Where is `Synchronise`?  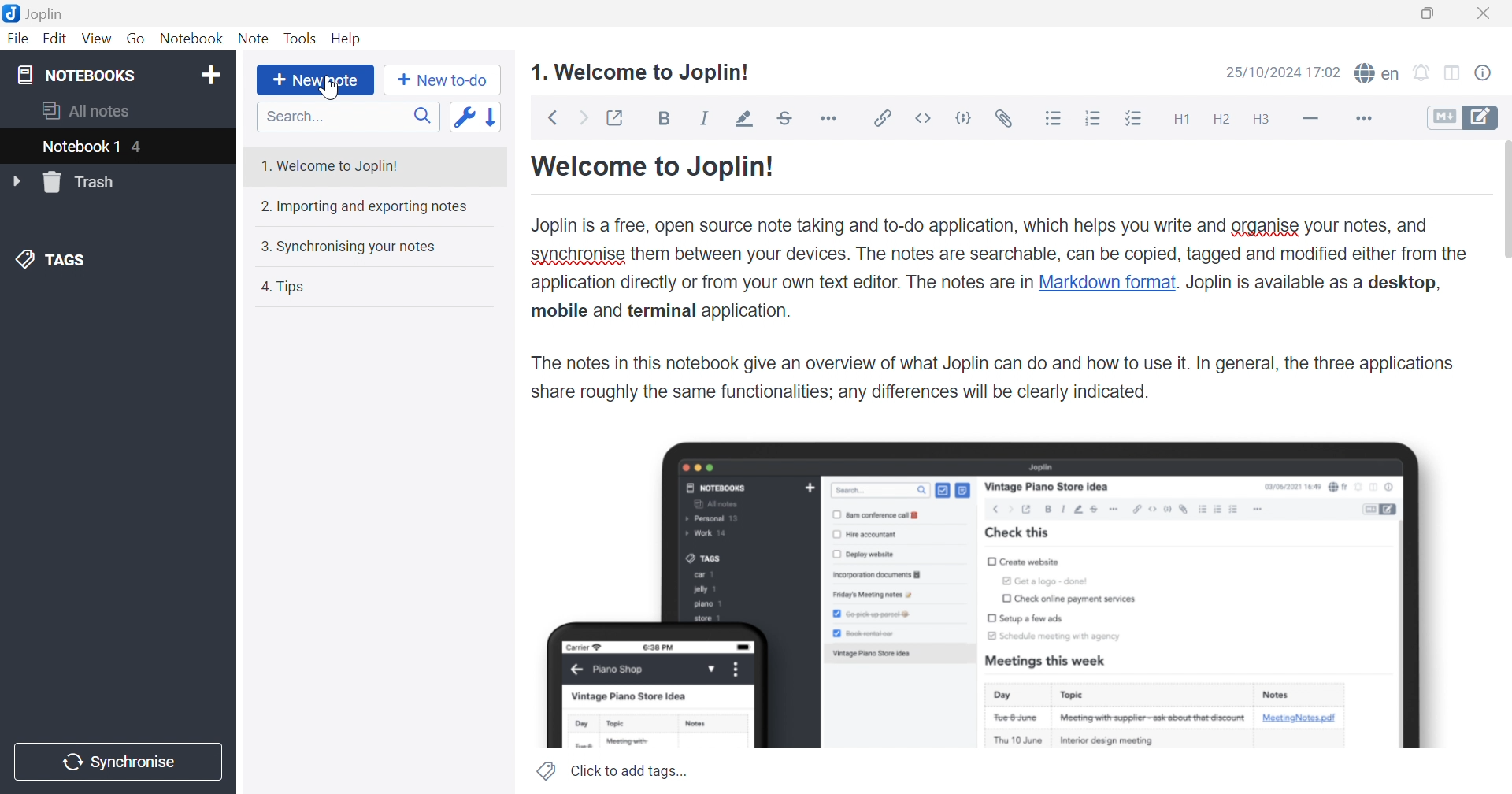 Synchronise is located at coordinates (120, 761).